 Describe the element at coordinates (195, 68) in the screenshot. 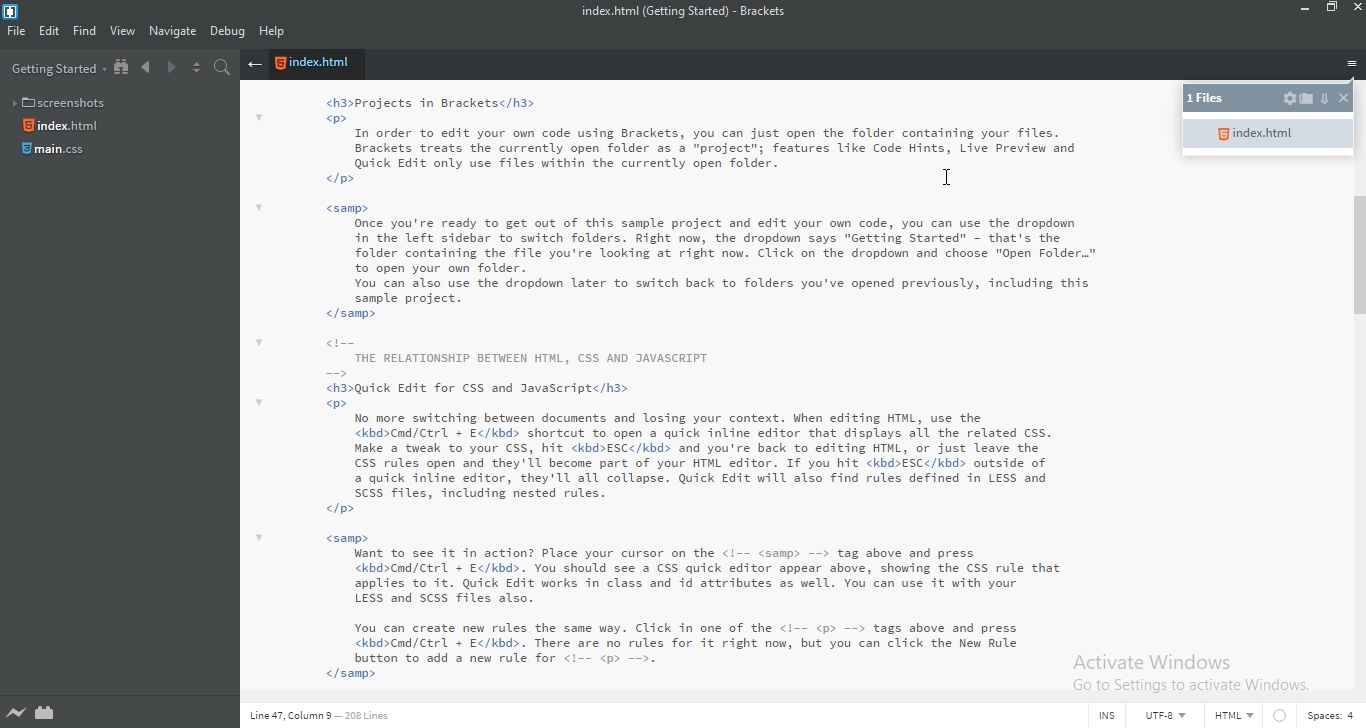

I see `Split the editor vertically or horizontally` at that location.